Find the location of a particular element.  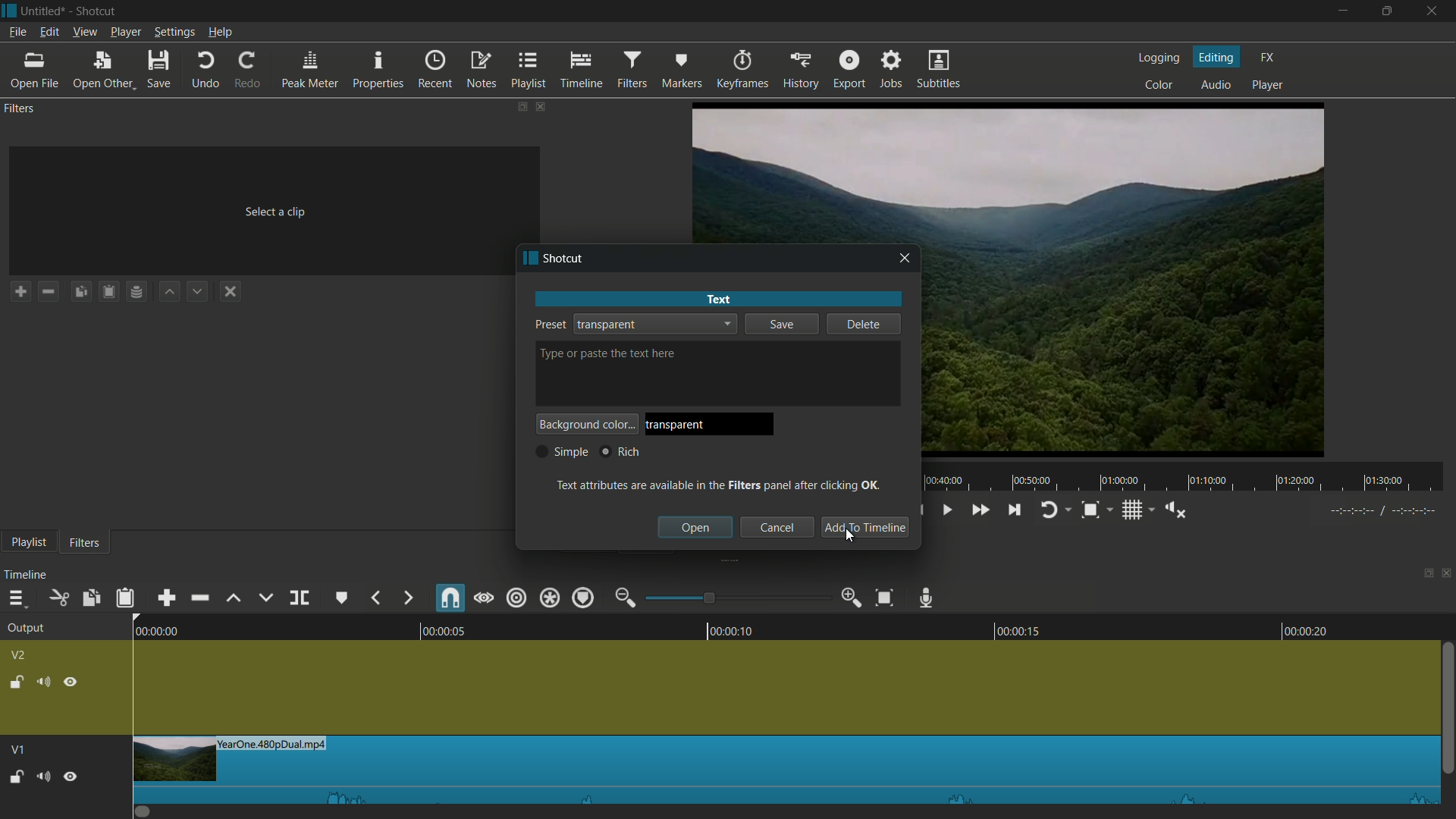

down is located at coordinates (196, 292).